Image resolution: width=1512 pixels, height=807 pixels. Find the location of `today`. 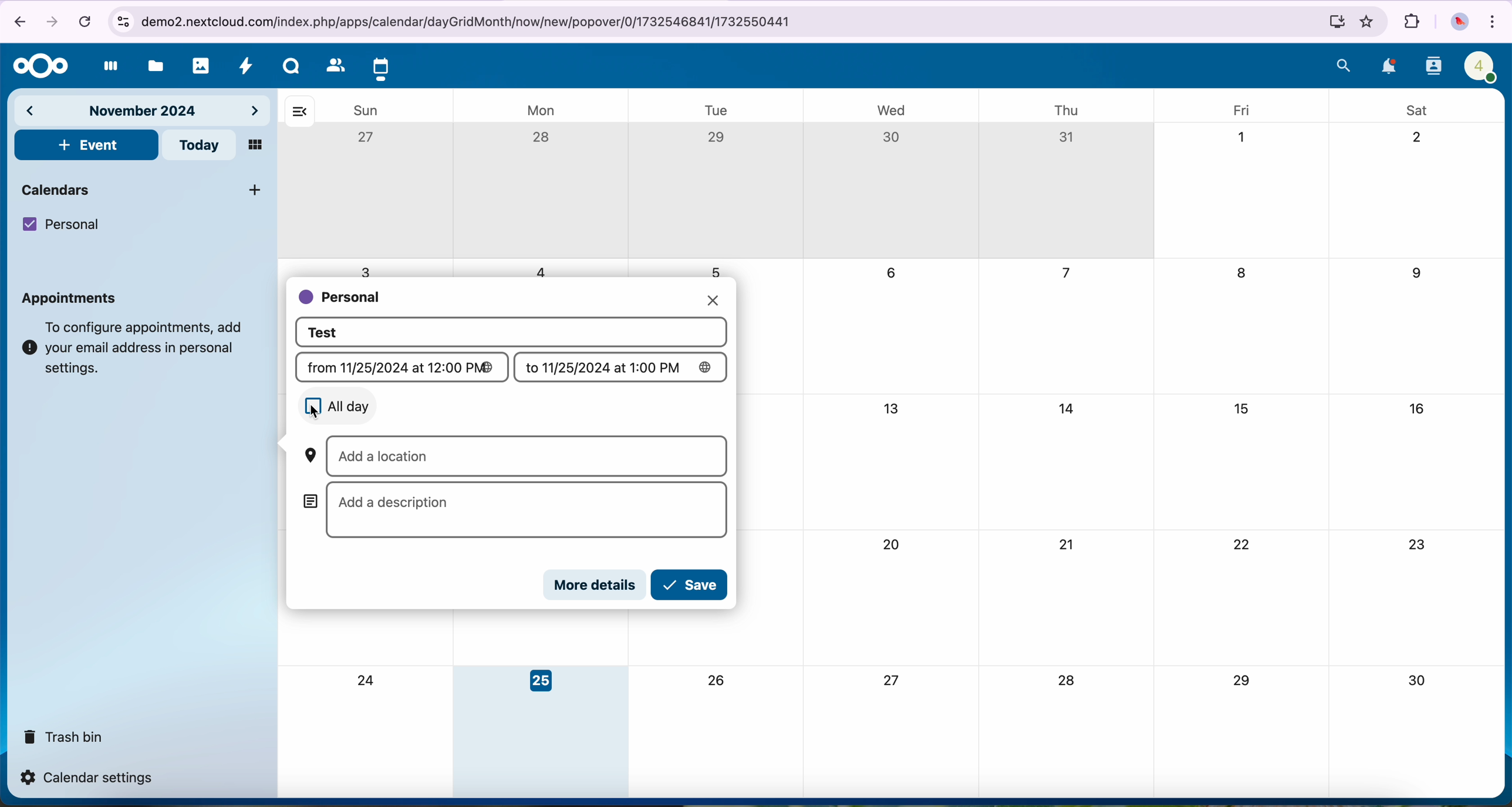

today is located at coordinates (198, 146).